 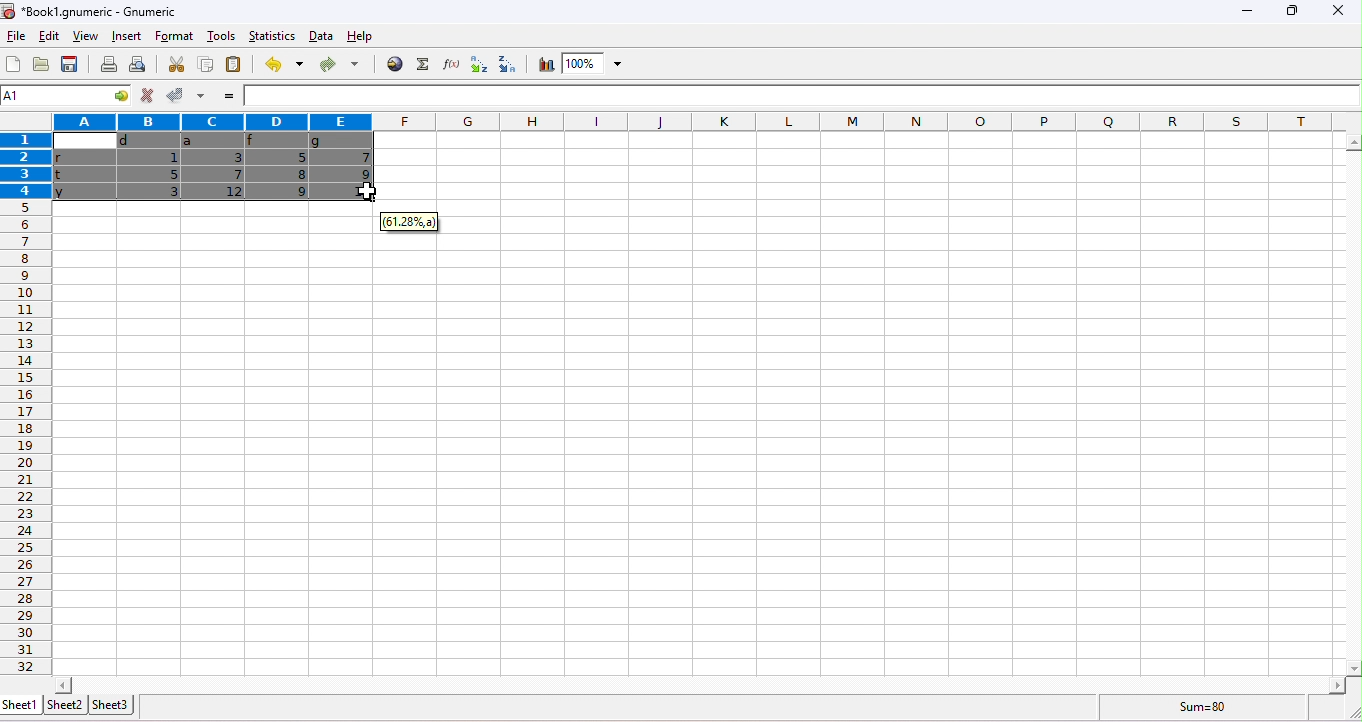 I want to click on paste, so click(x=234, y=63).